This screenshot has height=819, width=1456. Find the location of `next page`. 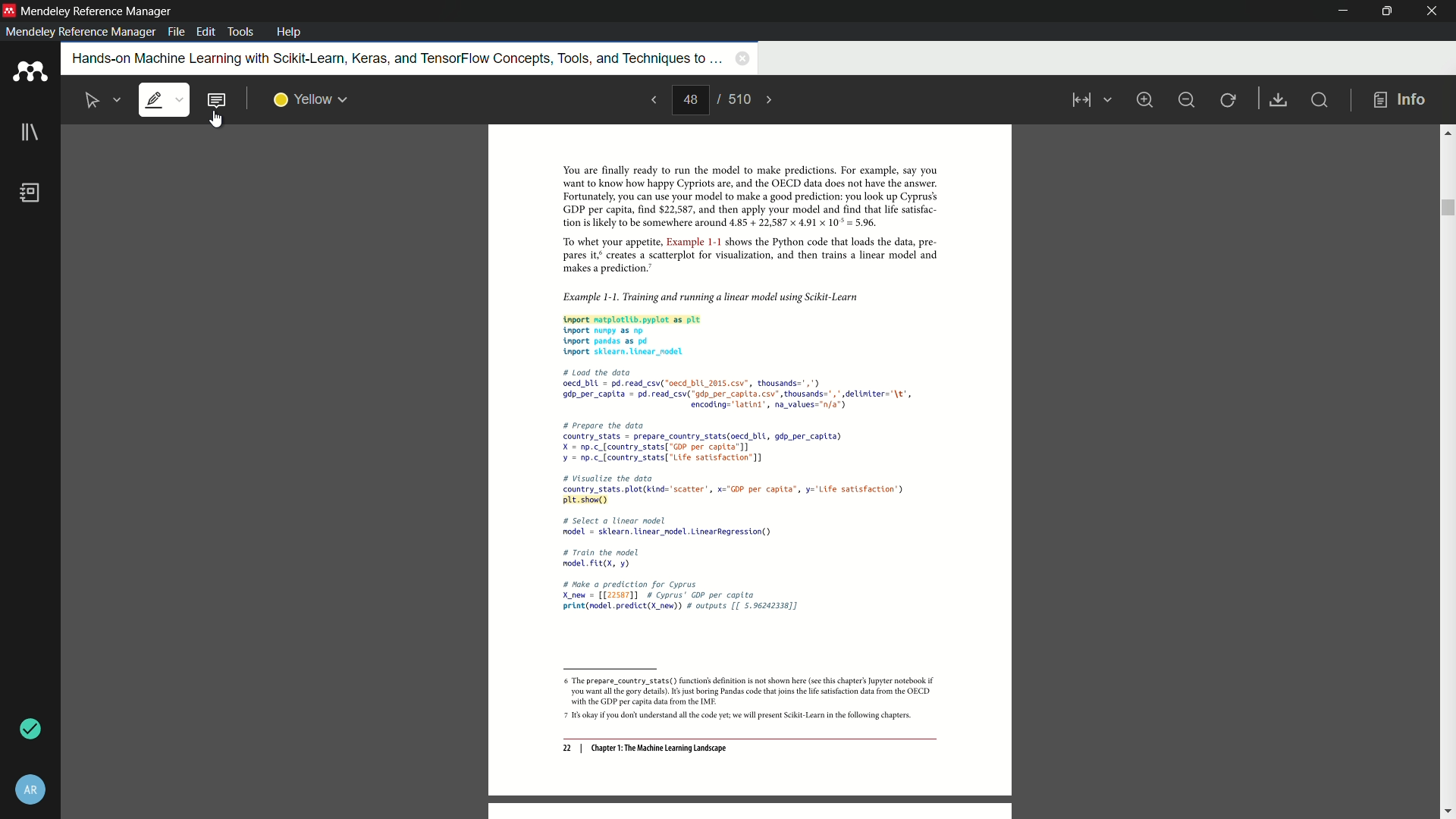

next page is located at coordinates (770, 100).